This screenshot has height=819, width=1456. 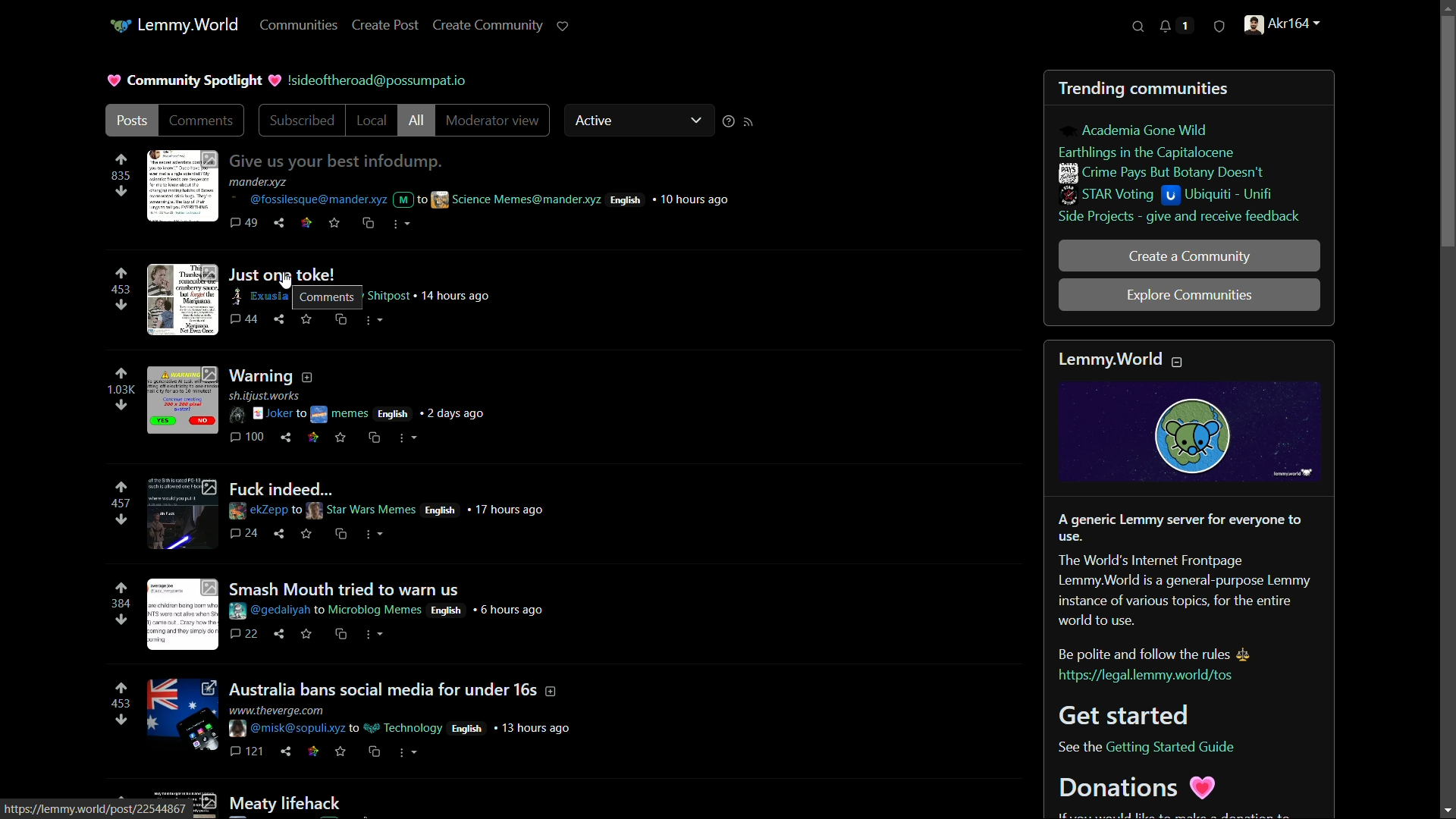 I want to click on ♡community spotlight♡, so click(x=190, y=81).